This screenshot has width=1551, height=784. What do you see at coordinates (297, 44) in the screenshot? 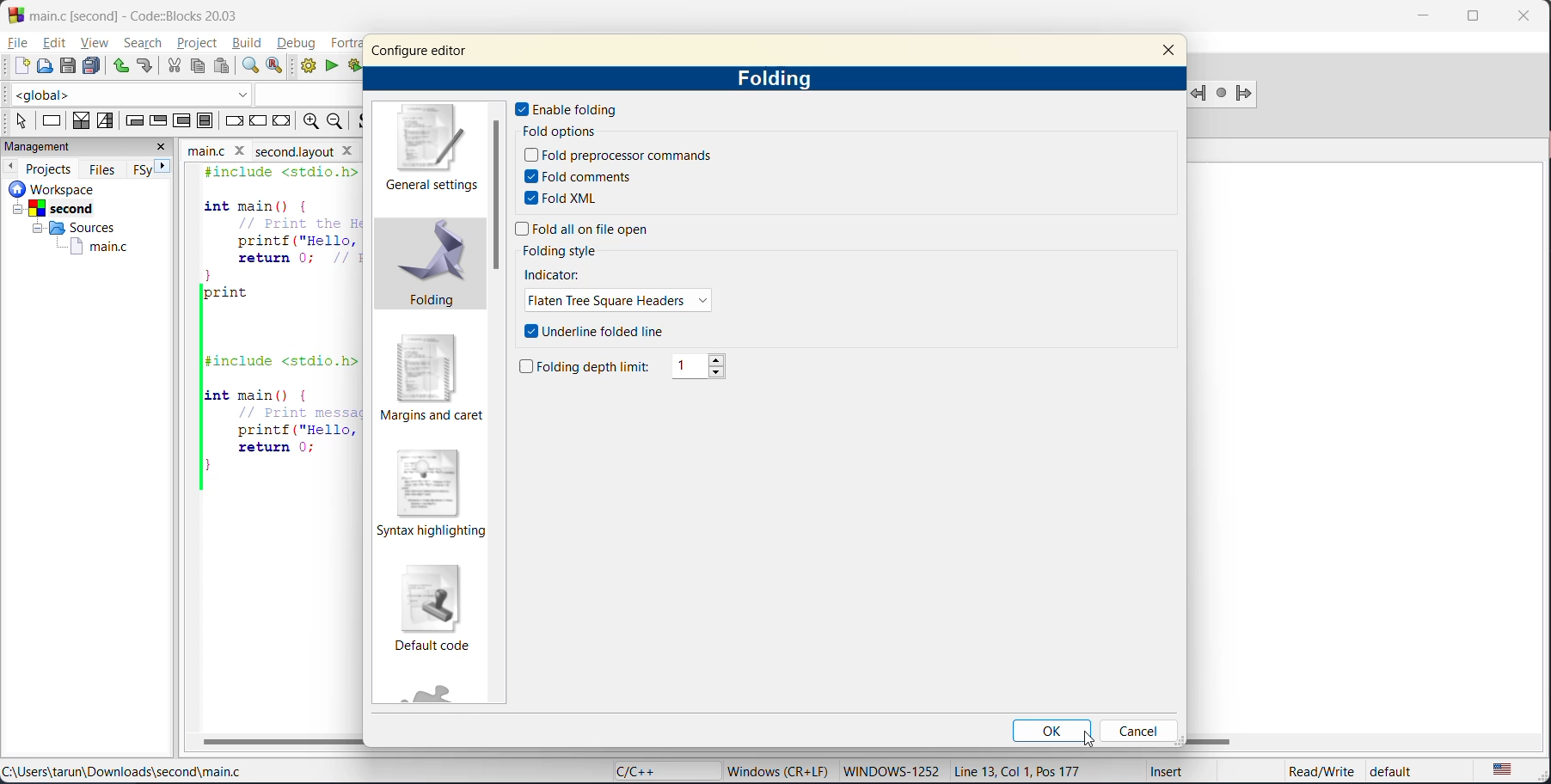
I see `debug` at bounding box center [297, 44].